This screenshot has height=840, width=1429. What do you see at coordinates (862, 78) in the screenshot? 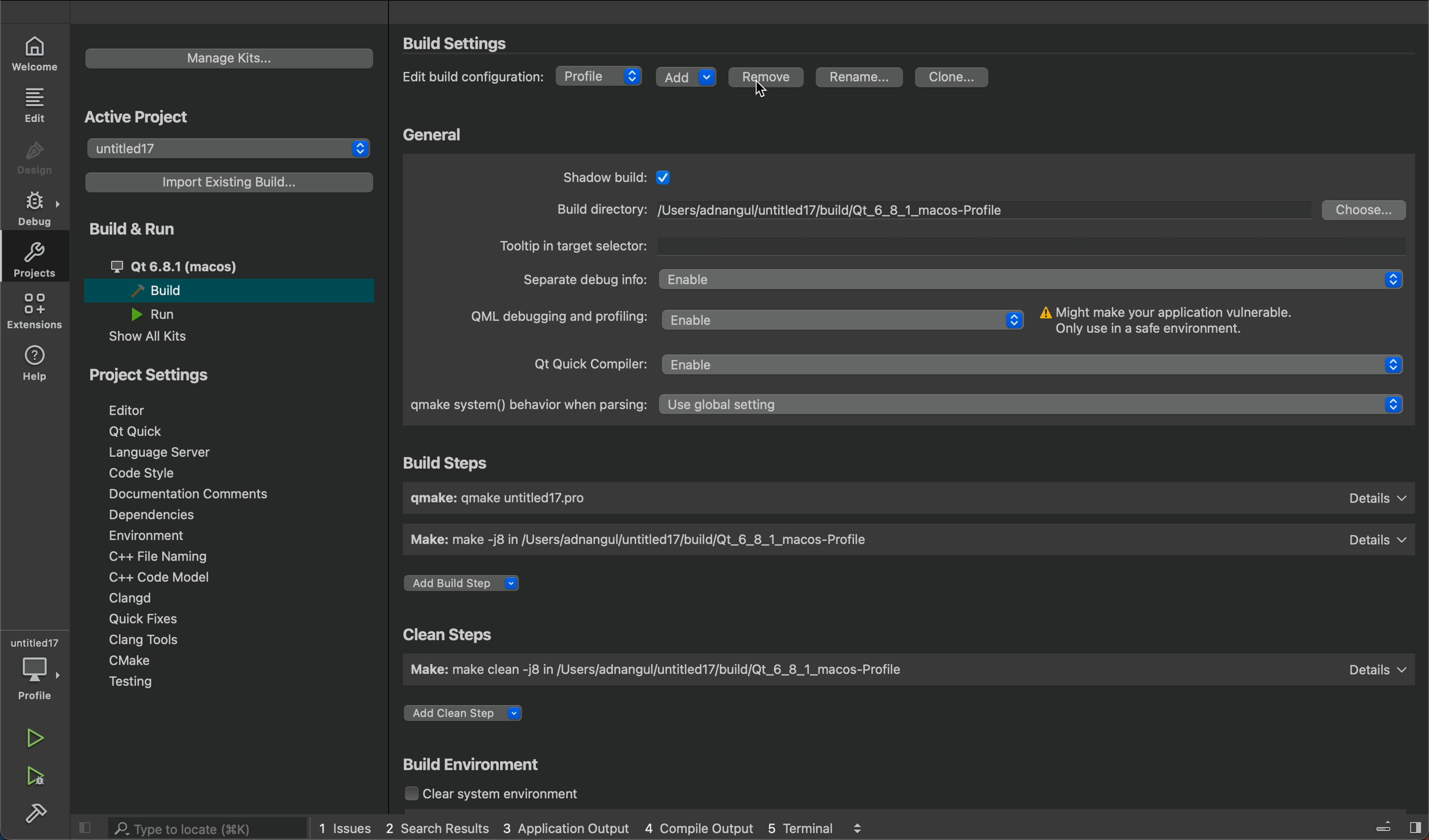
I see `rename` at bounding box center [862, 78].